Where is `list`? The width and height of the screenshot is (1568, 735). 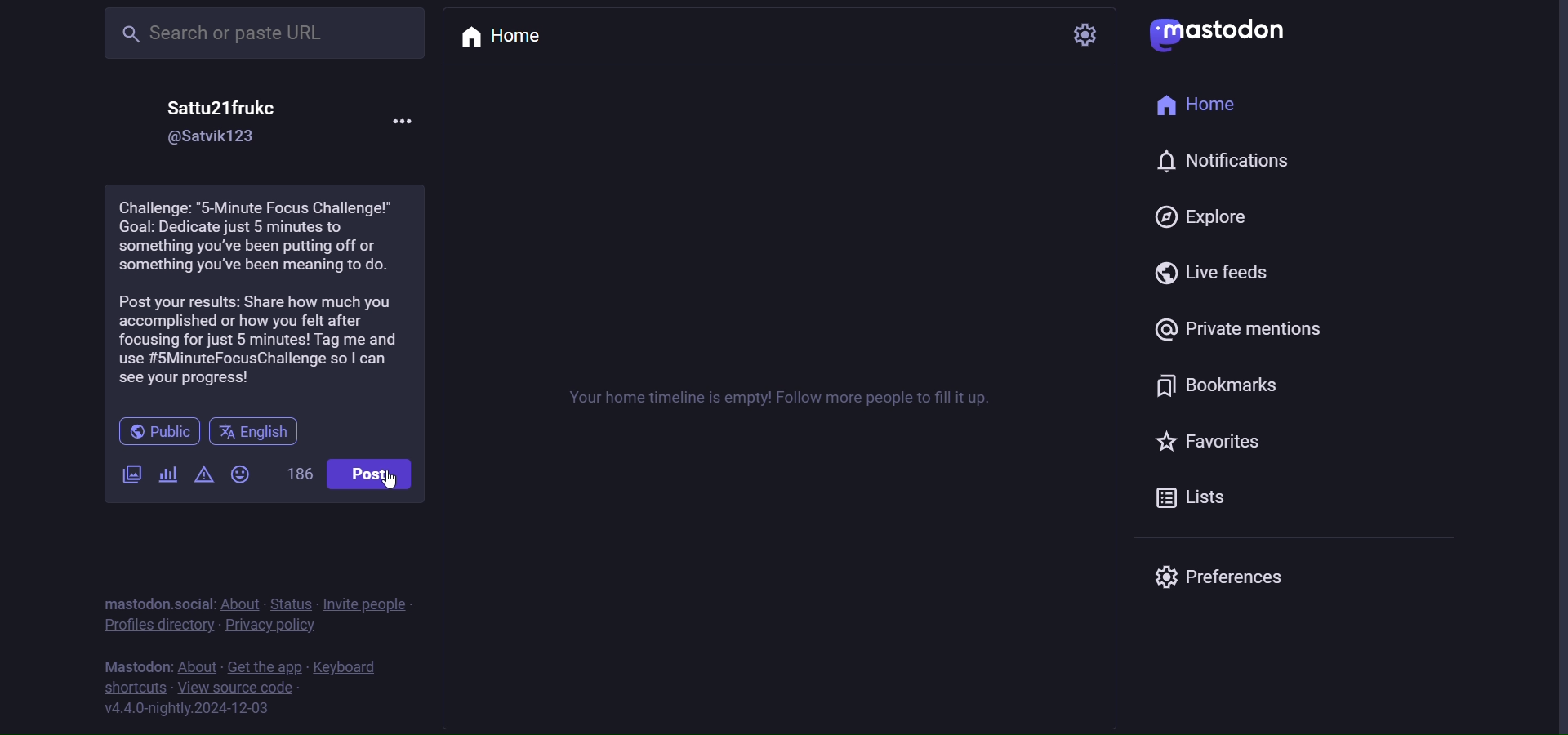
list is located at coordinates (1198, 497).